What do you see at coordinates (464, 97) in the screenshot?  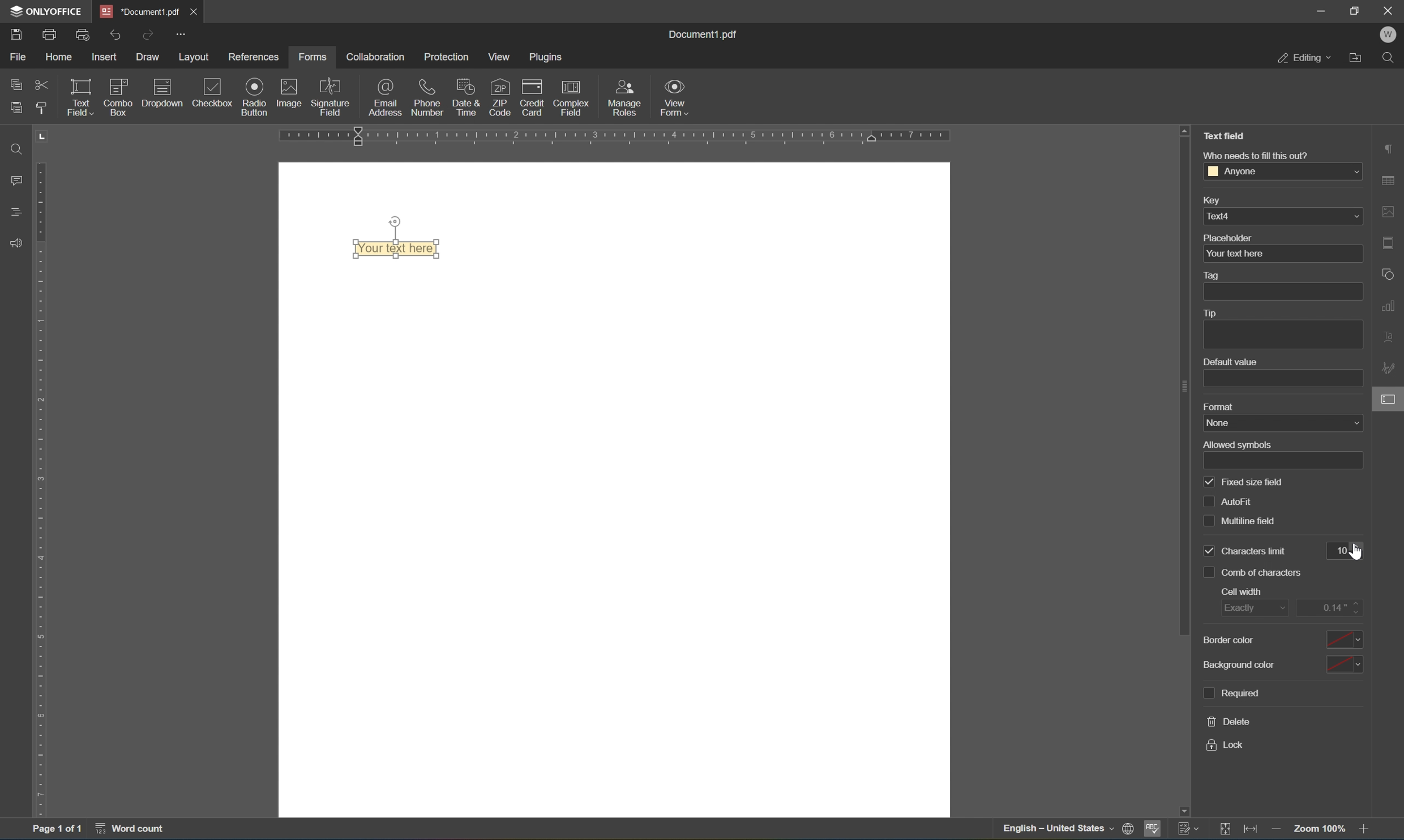 I see `date and time` at bounding box center [464, 97].